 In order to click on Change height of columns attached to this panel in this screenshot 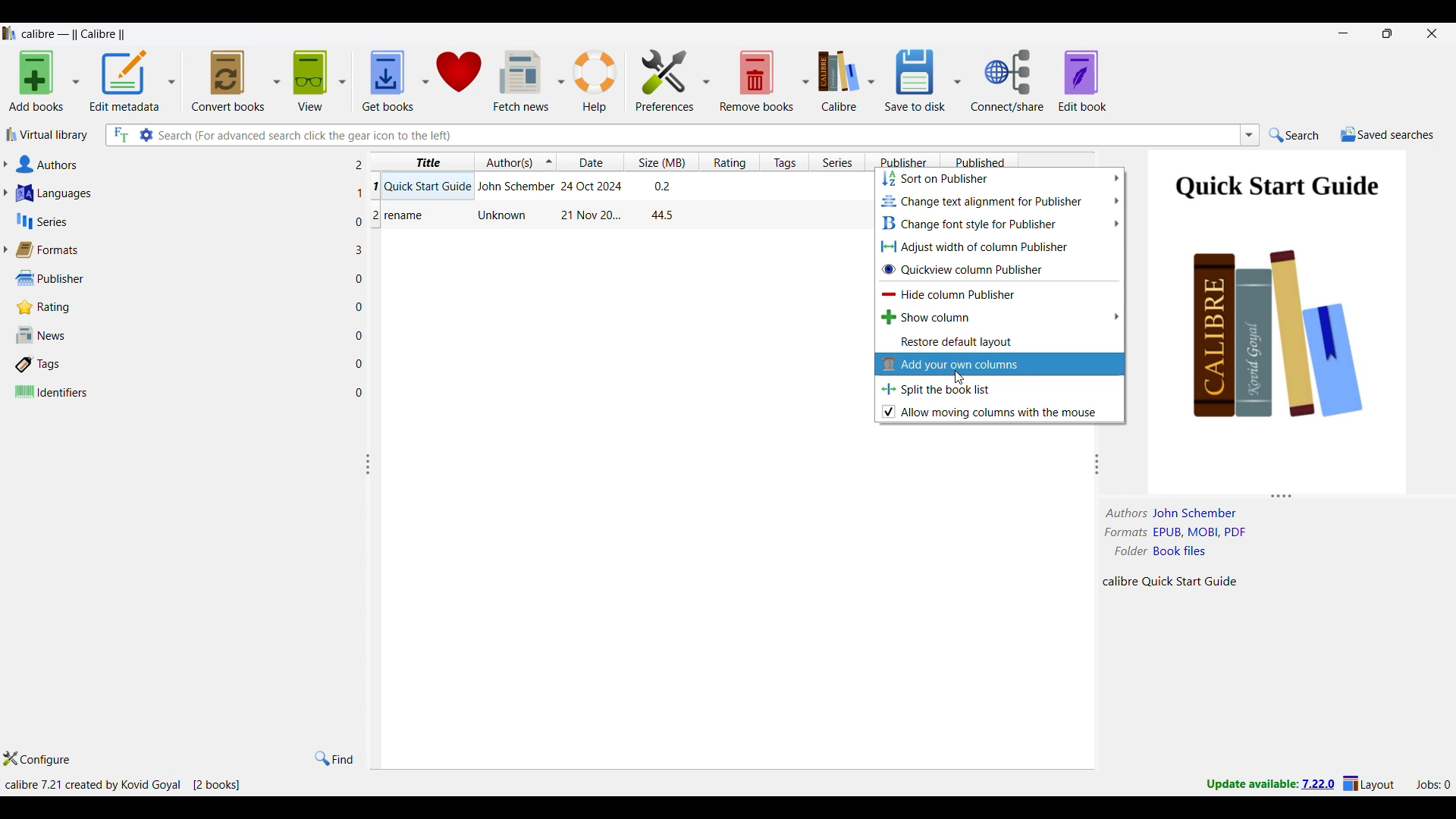, I will do `click(1278, 496)`.